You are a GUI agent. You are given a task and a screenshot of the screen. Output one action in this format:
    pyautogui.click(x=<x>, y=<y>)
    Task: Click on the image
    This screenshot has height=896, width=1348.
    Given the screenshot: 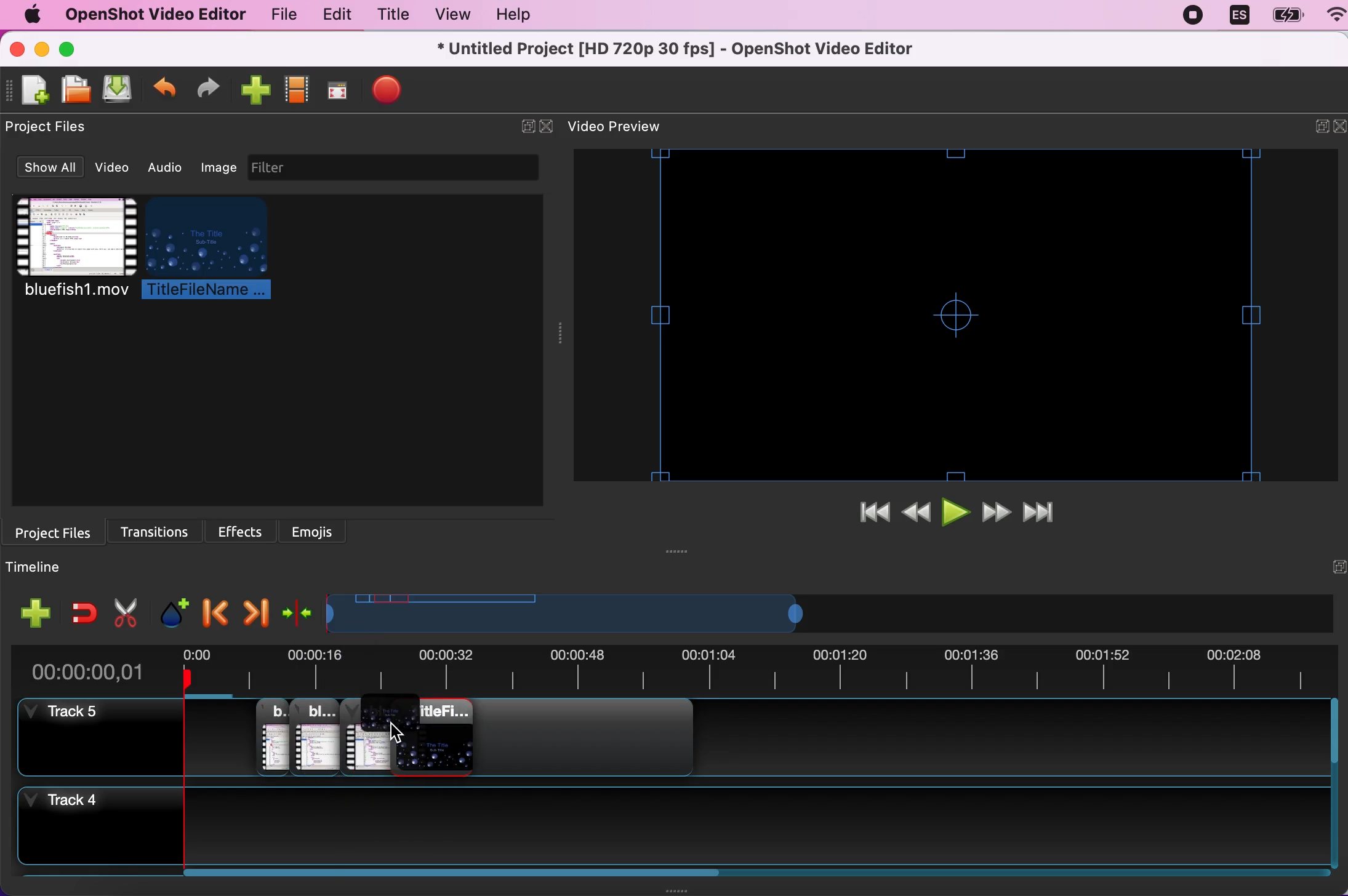 What is the action you would take?
    pyautogui.click(x=219, y=166)
    